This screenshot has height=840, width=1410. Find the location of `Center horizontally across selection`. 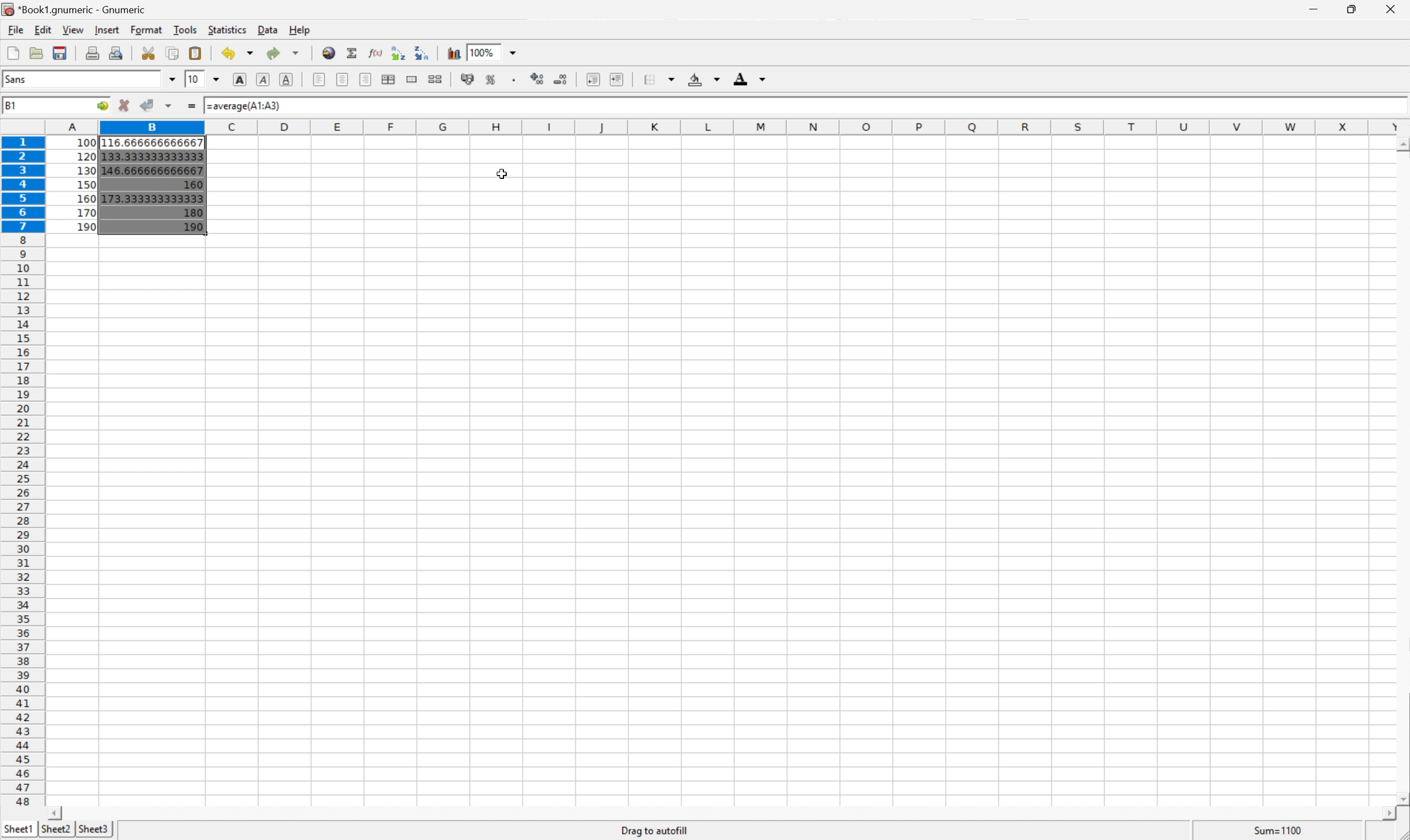

Center horizontally across selection is located at coordinates (388, 79).